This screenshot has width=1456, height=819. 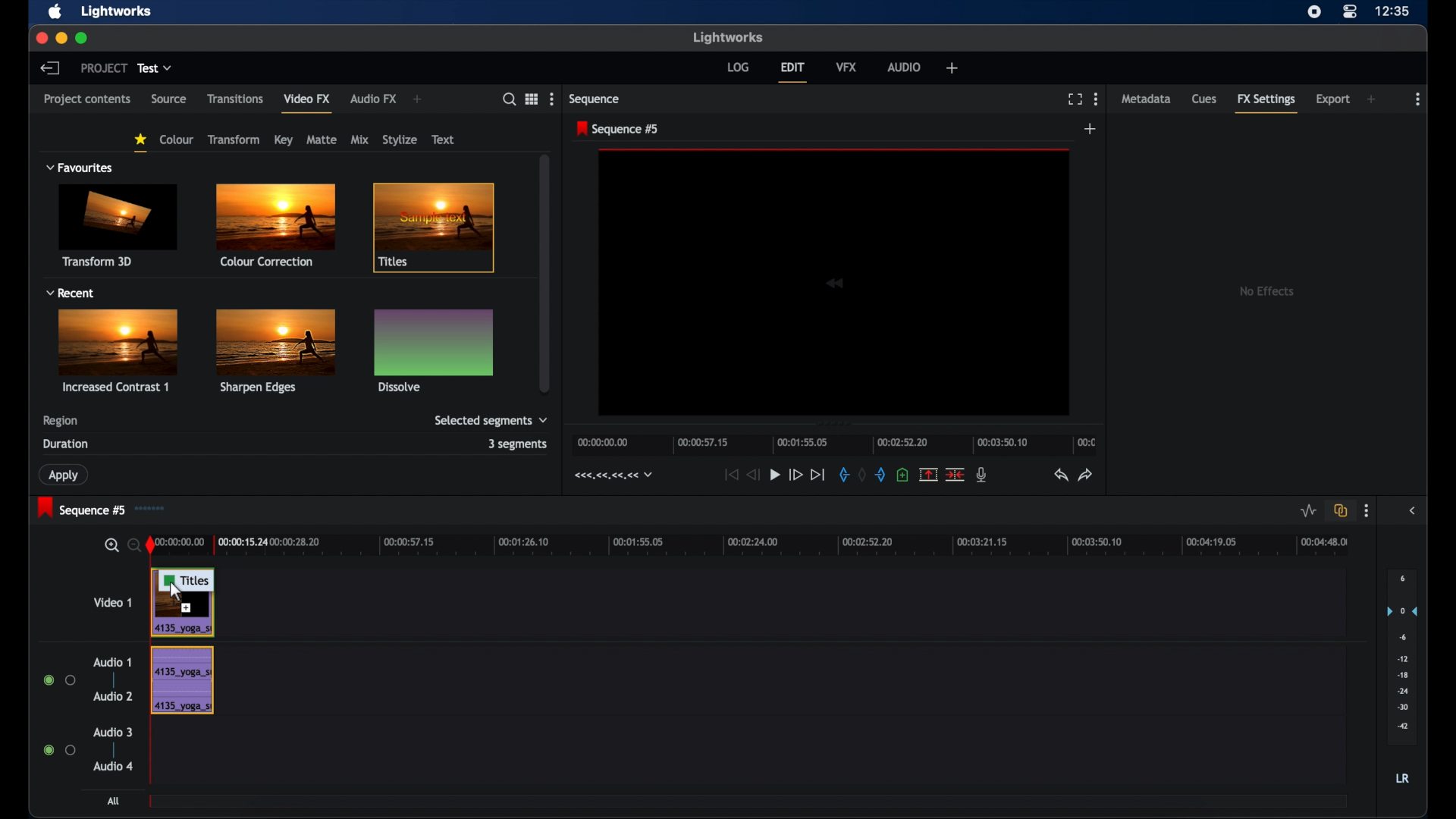 What do you see at coordinates (1394, 12) in the screenshot?
I see `time` at bounding box center [1394, 12].